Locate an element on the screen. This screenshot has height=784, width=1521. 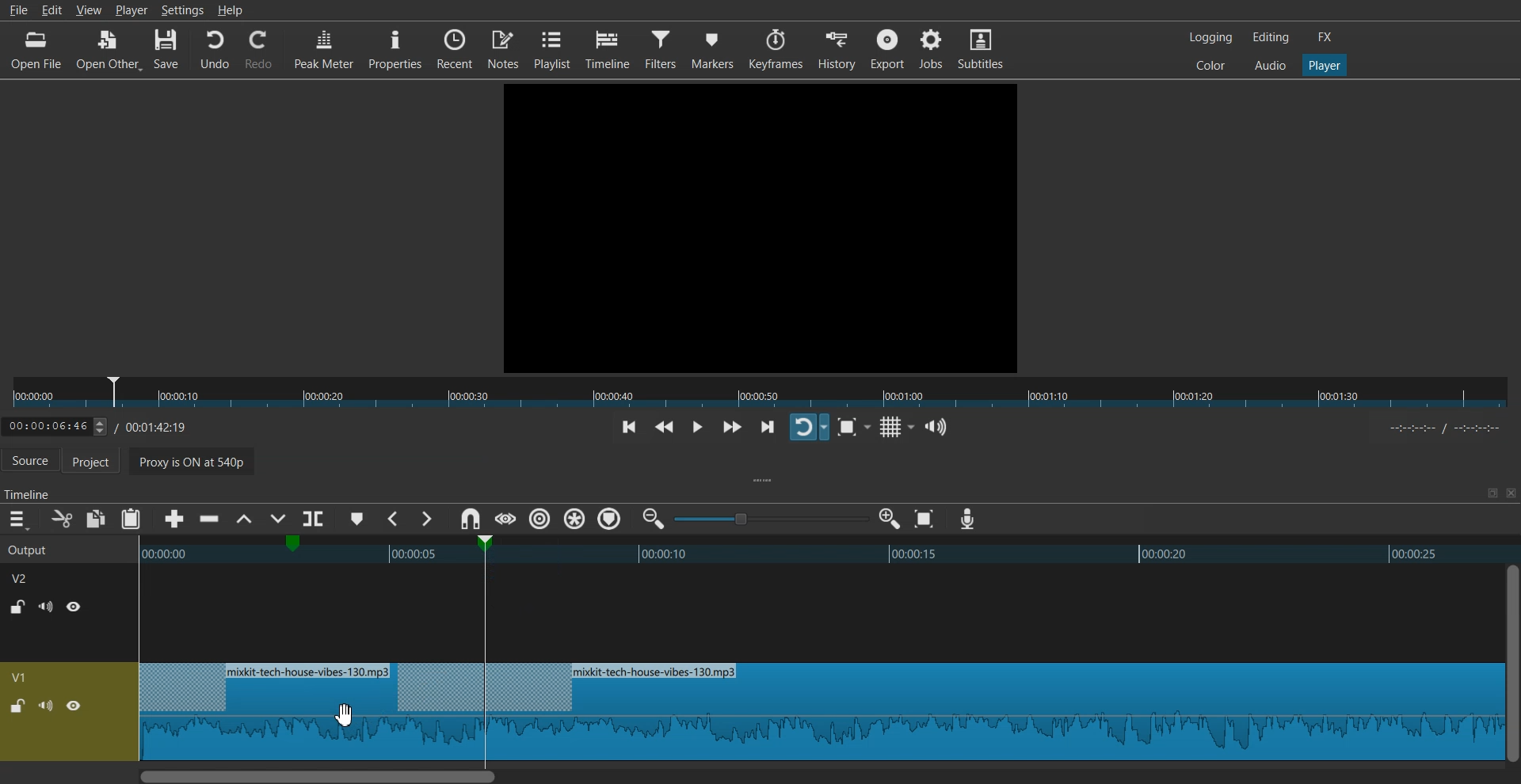
V1 is located at coordinates (21, 677).